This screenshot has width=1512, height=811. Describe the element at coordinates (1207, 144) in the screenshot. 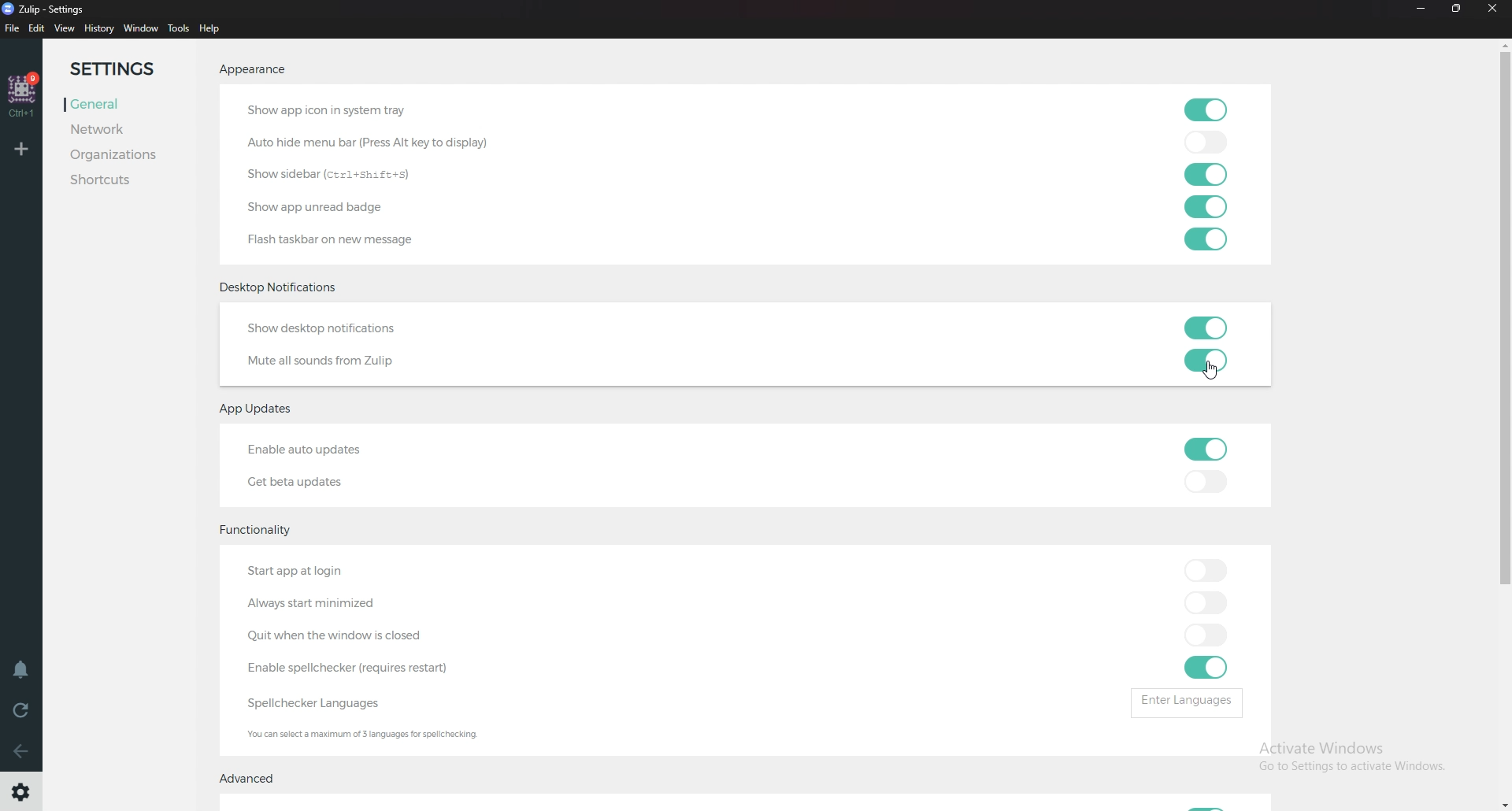

I see `toggle` at that location.